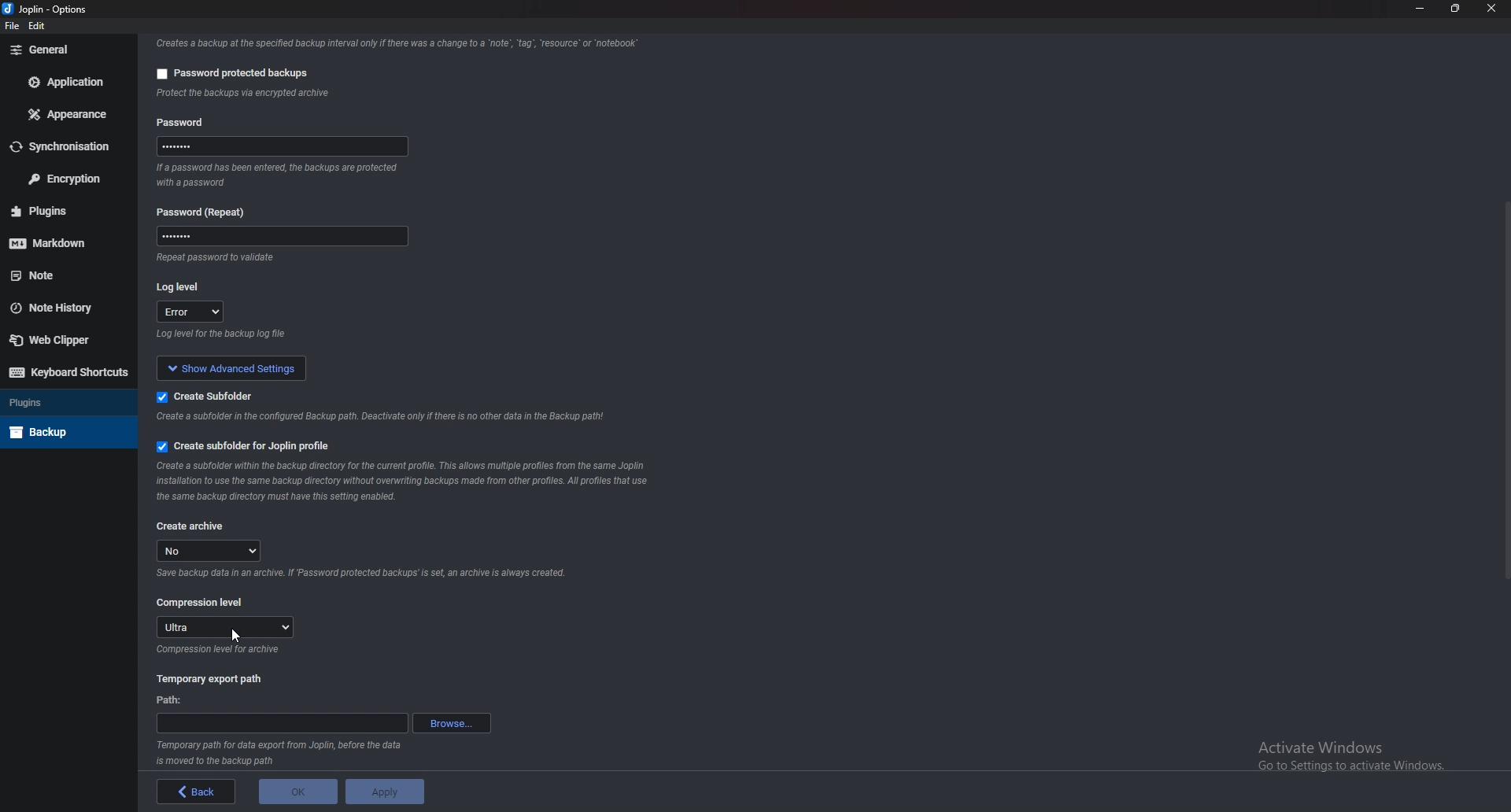  What do you see at coordinates (281, 724) in the screenshot?
I see `path` at bounding box center [281, 724].